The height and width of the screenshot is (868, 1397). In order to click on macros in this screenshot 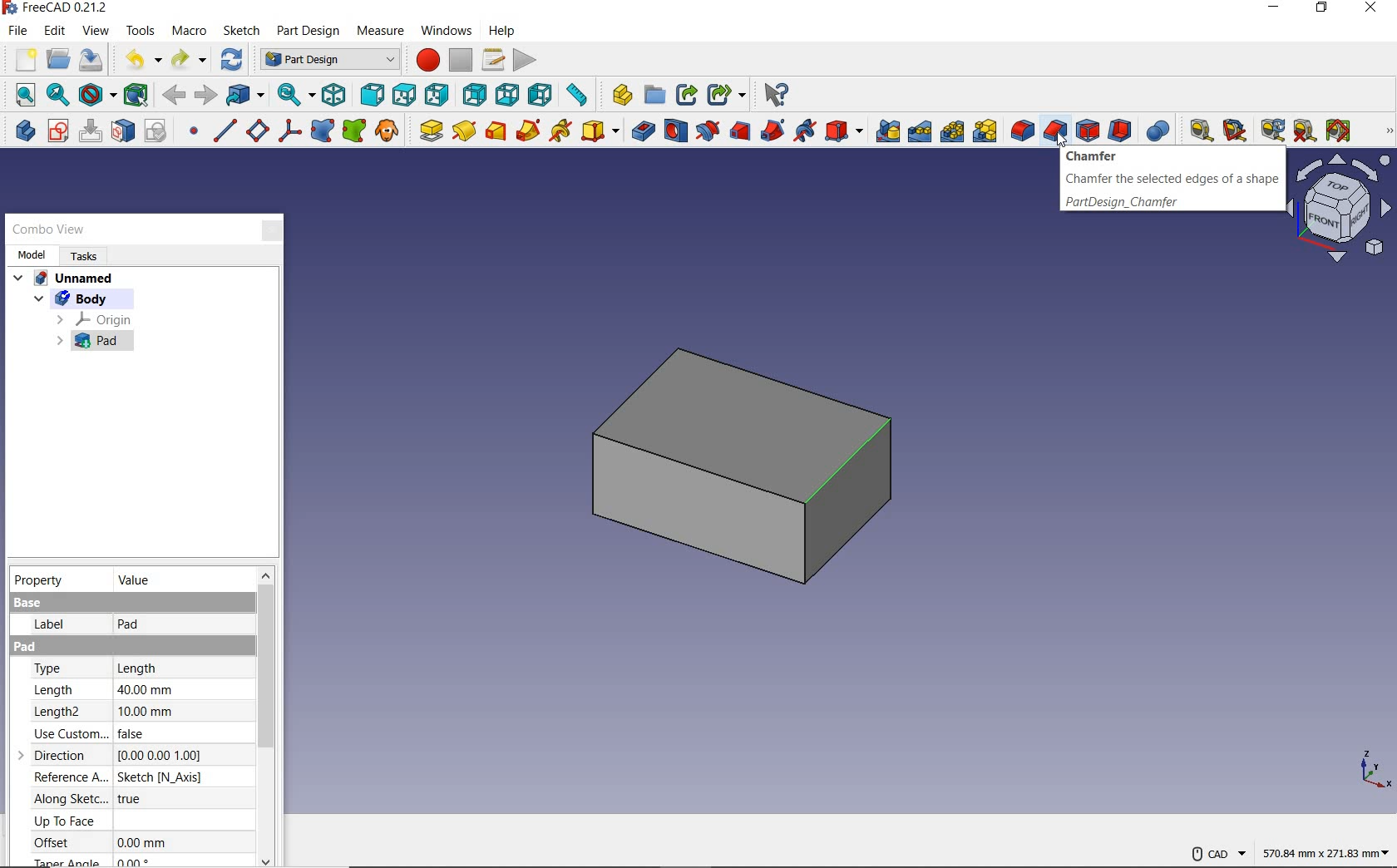, I will do `click(496, 60)`.